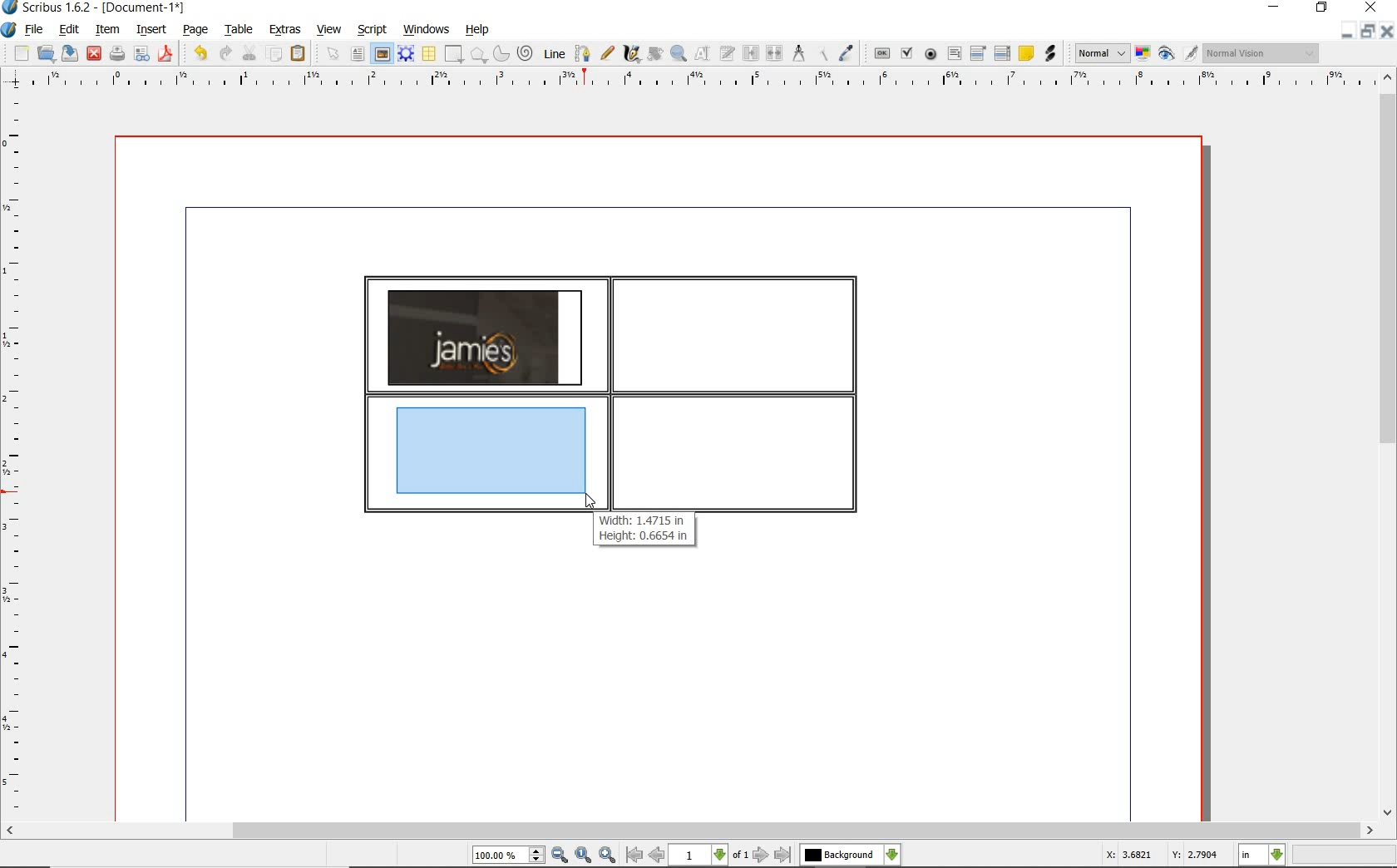 This screenshot has width=1397, height=868. What do you see at coordinates (1190, 54) in the screenshot?
I see `edit in preview mode` at bounding box center [1190, 54].